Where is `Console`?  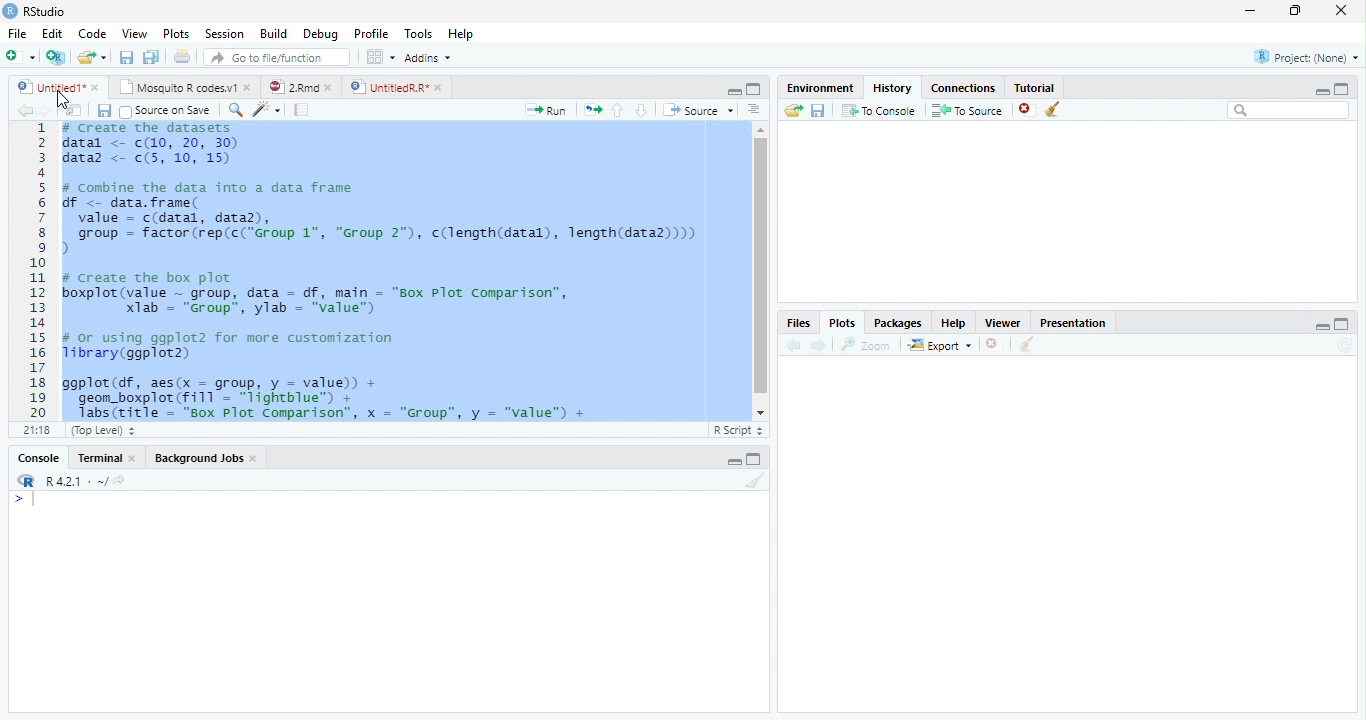
Console is located at coordinates (38, 458).